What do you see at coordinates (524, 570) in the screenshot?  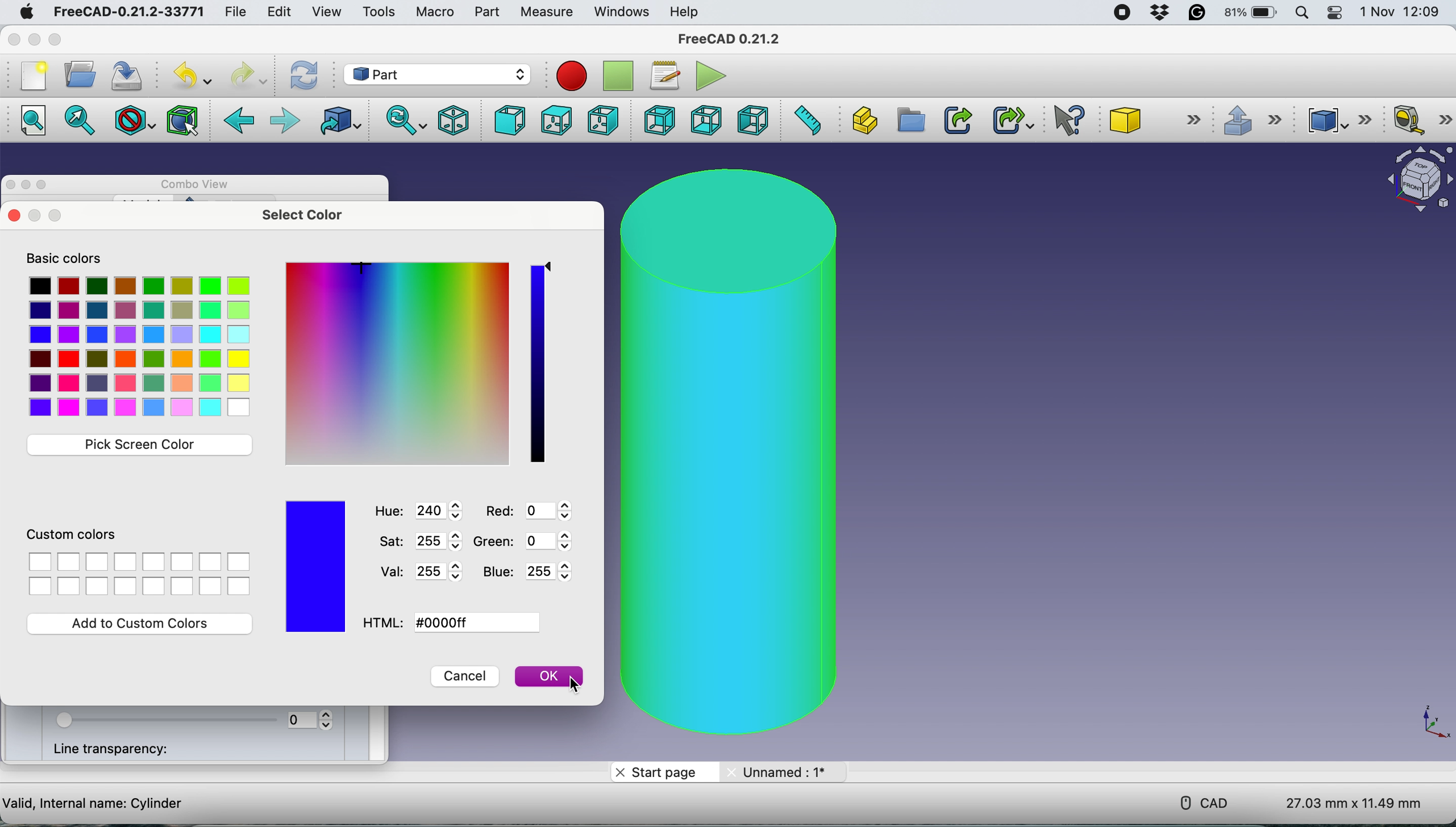 I see `blue` at bounding box center [524, 570].